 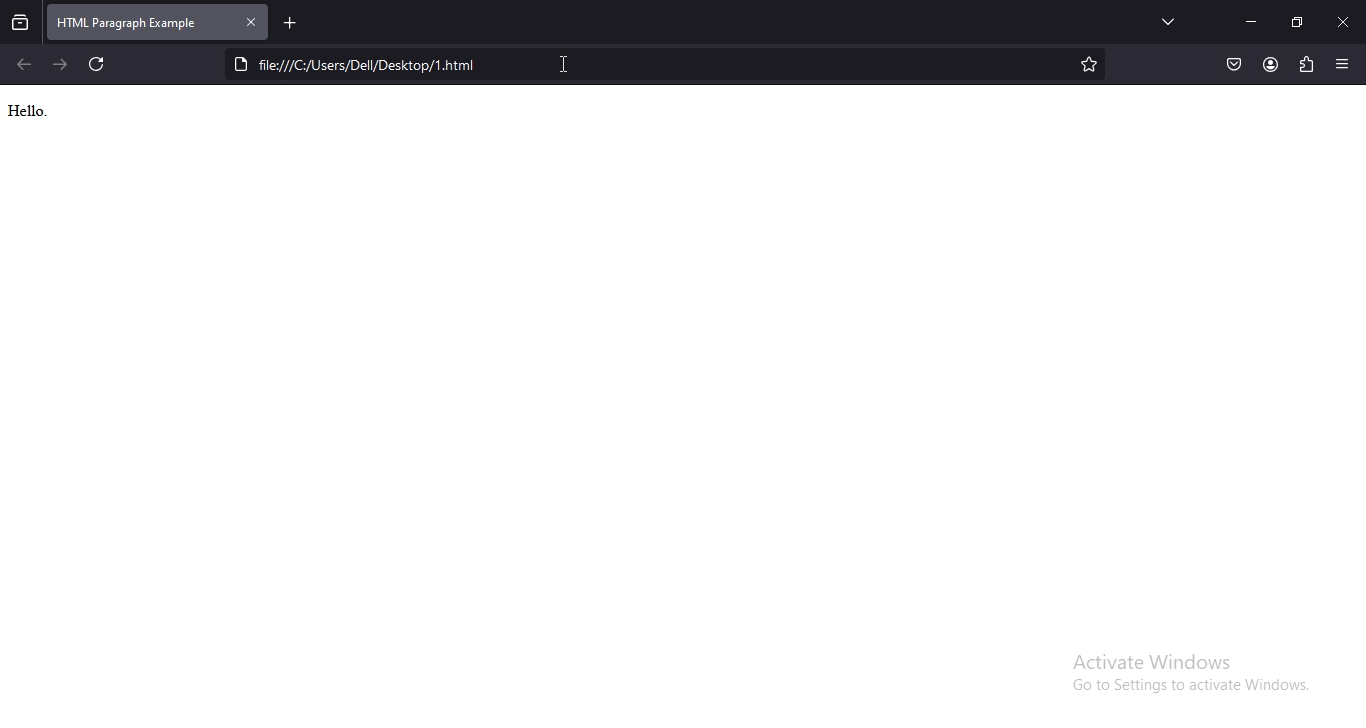 I want to click on Go to settings to activate windows., so click(x=1193, y=685).